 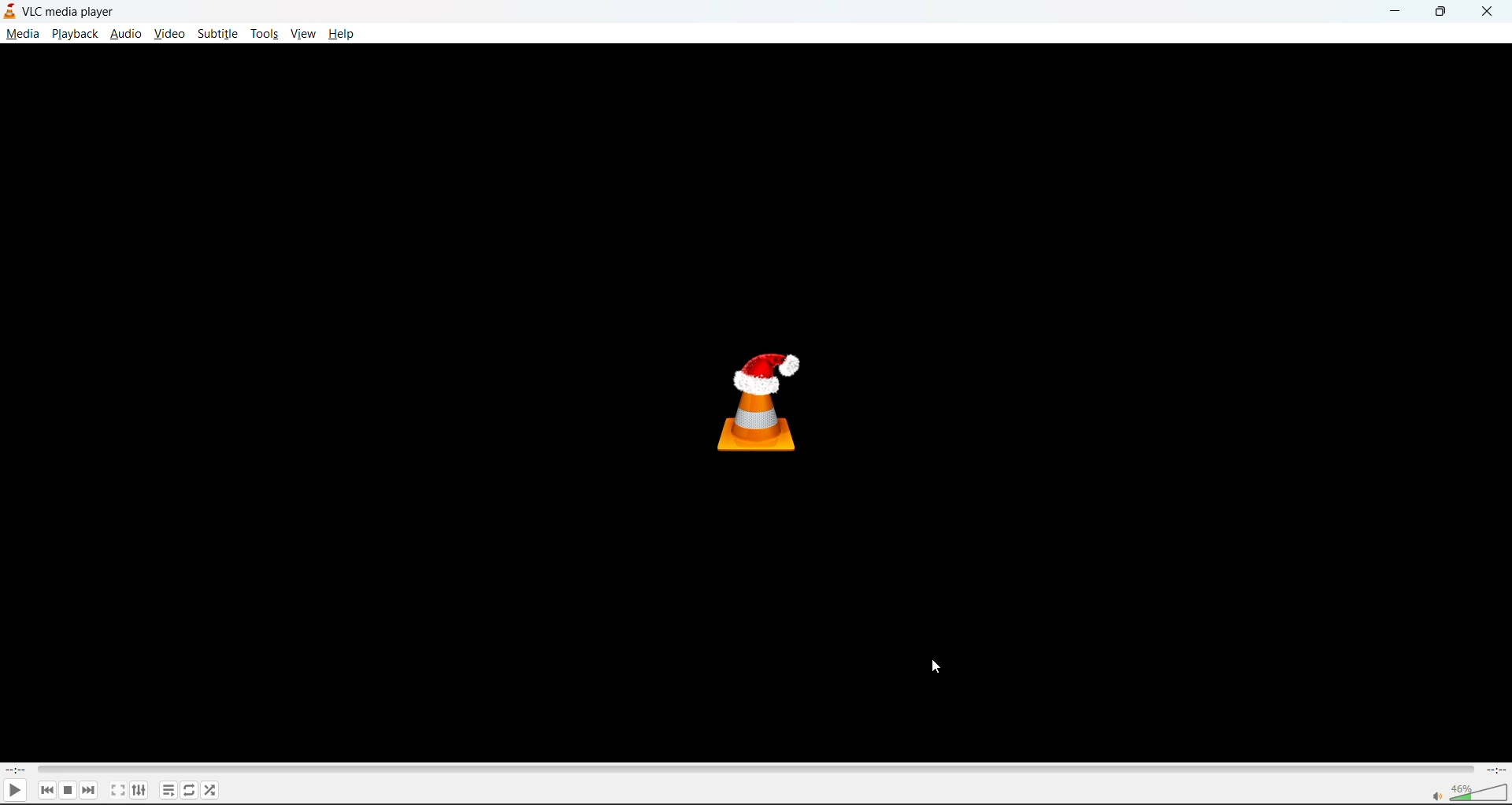 What do you see at coordinates (765, 401) in the screenshot?
I see `thumbnail` at bounding box center [765, 401].